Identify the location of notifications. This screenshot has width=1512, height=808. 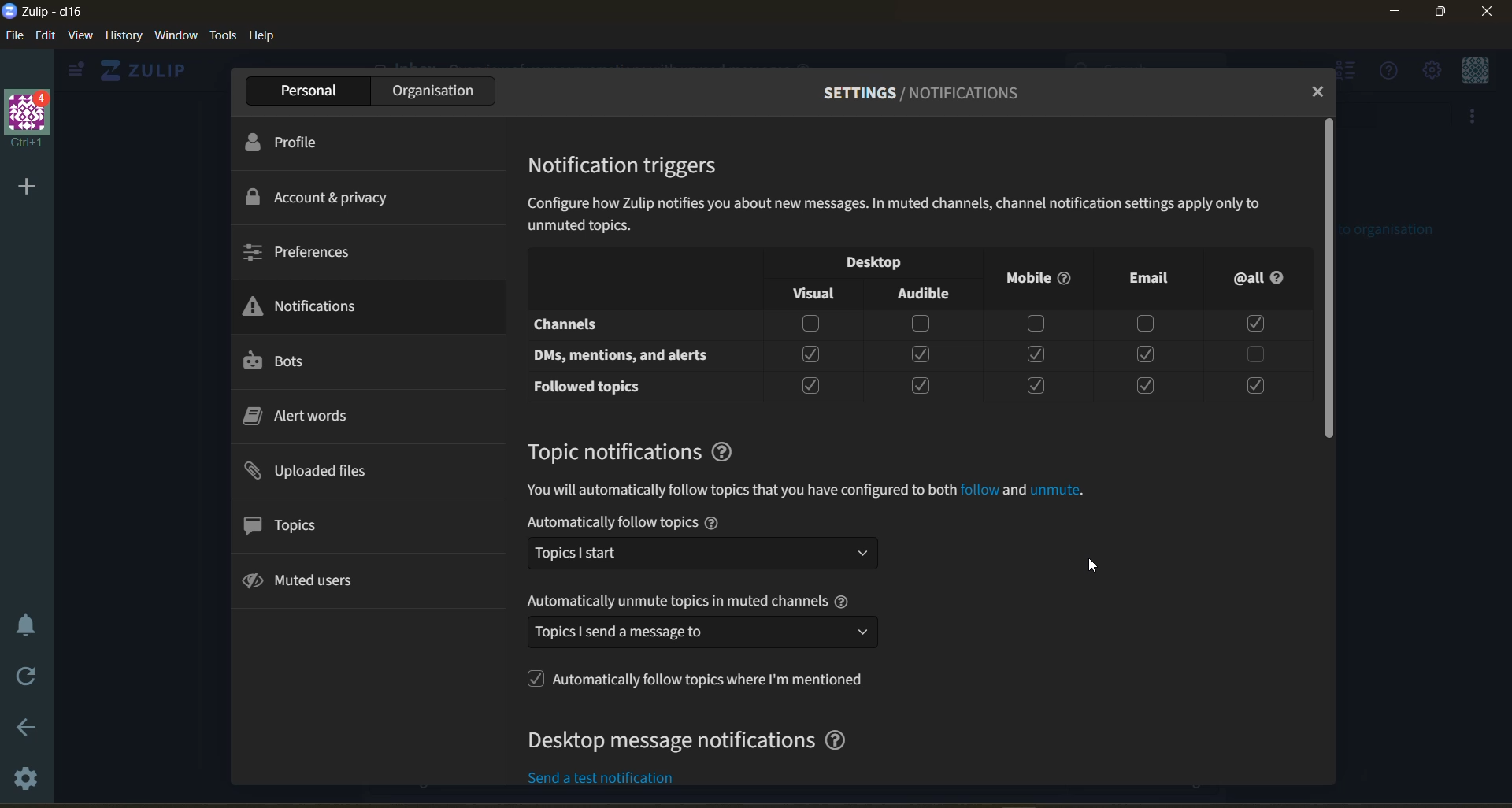
(309, 304).